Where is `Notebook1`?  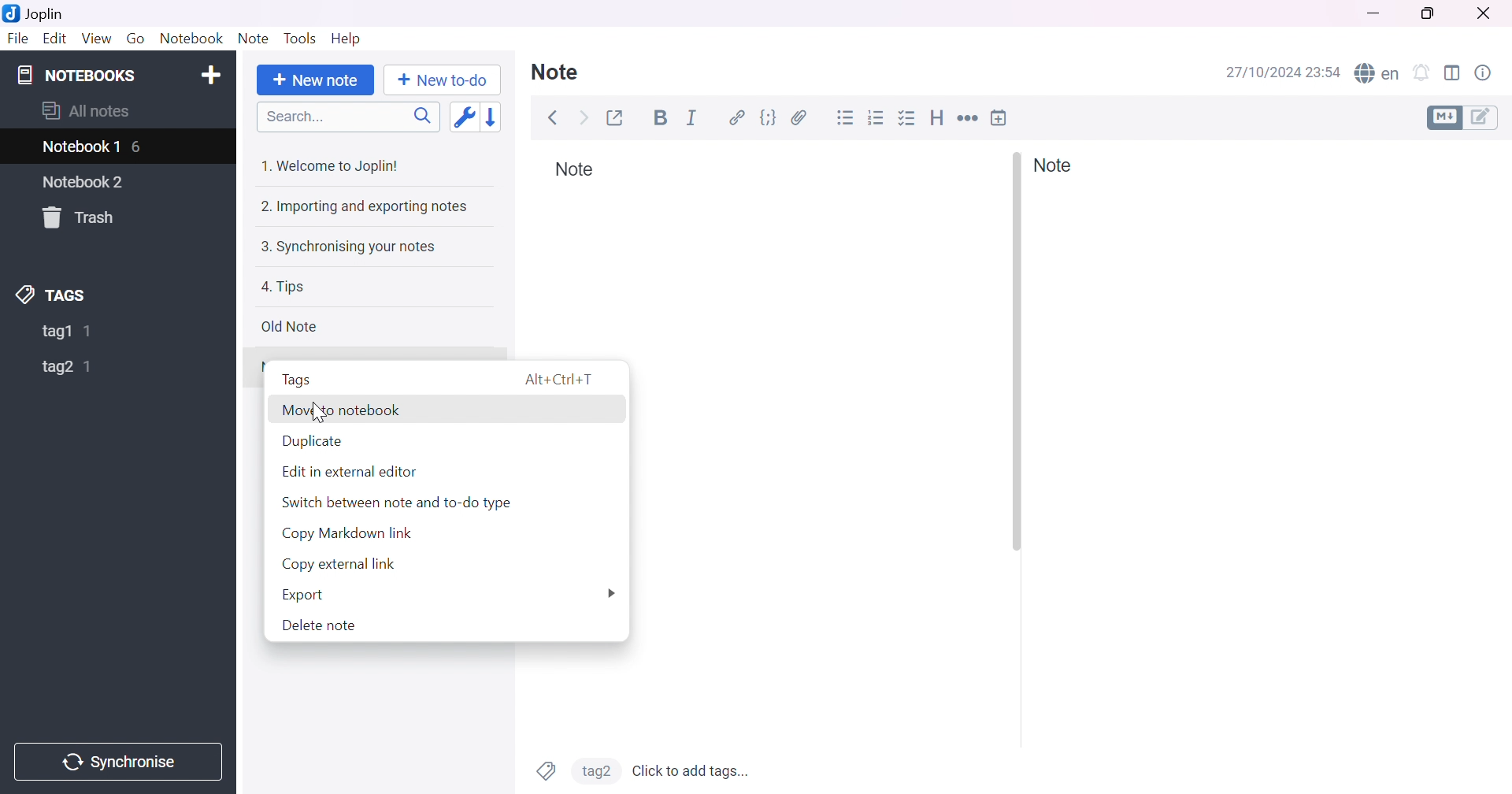
Notebook1 is located at coordinates (80, 148).